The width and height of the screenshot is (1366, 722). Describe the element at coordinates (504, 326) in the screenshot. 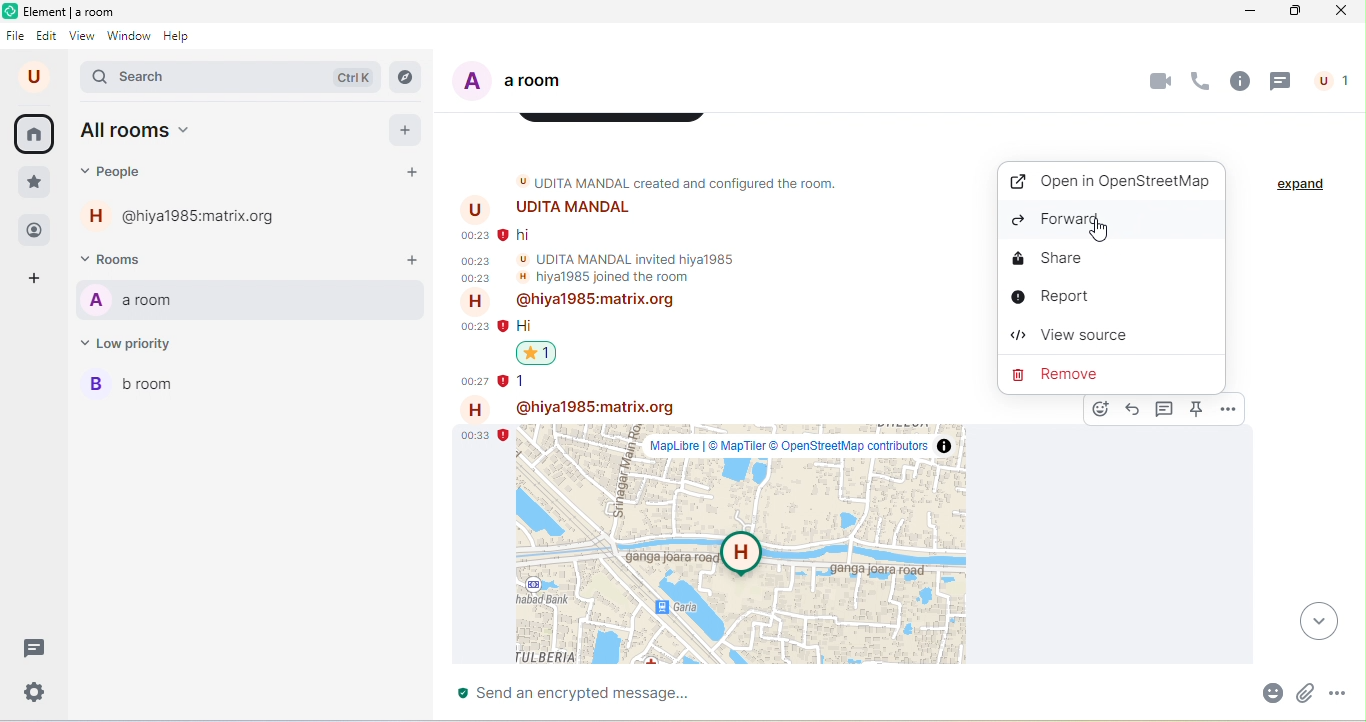

I see `error message` at that location.